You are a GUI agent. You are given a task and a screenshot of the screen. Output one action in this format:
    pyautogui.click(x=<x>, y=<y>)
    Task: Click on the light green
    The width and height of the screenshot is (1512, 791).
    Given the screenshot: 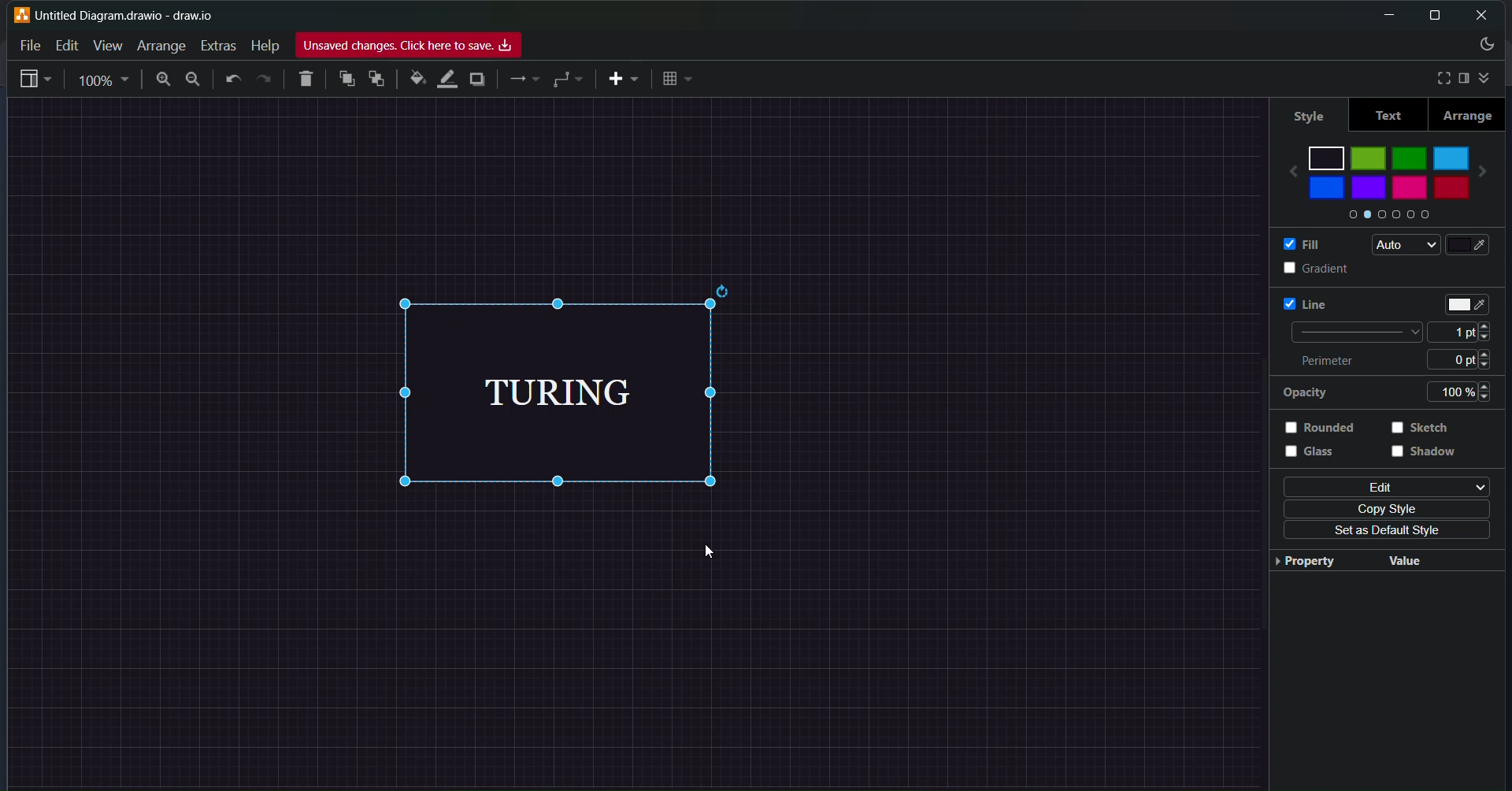 What is the action you would take?
    pyautogui.click(x=1369, y=158)
    